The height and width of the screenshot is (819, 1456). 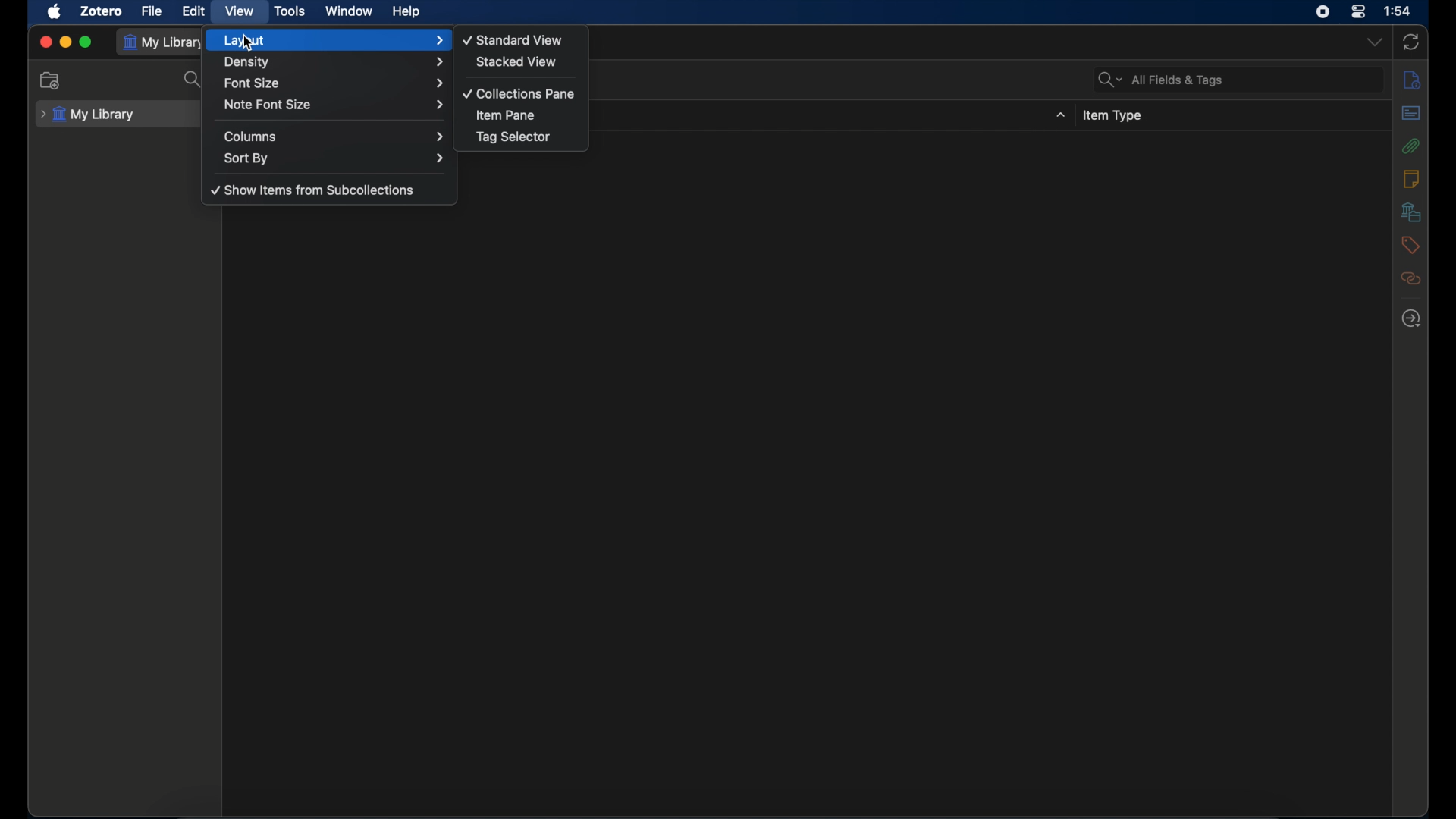 What do you see at coordinates (86, 42) in the screenshot?
I see `maximize` at bounding box center [86, 42].